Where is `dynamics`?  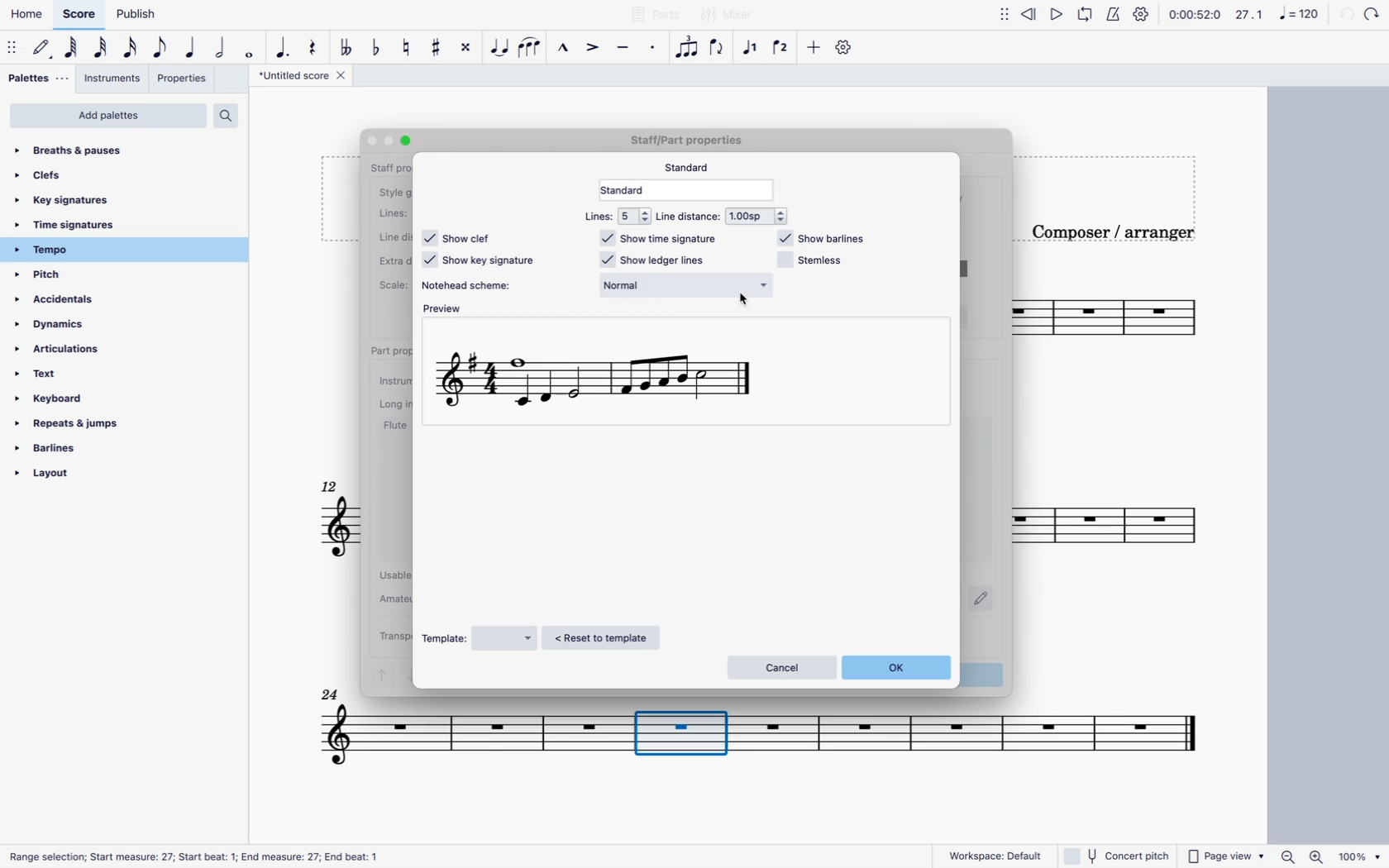 dynamics is located at coordinates (60, 325).